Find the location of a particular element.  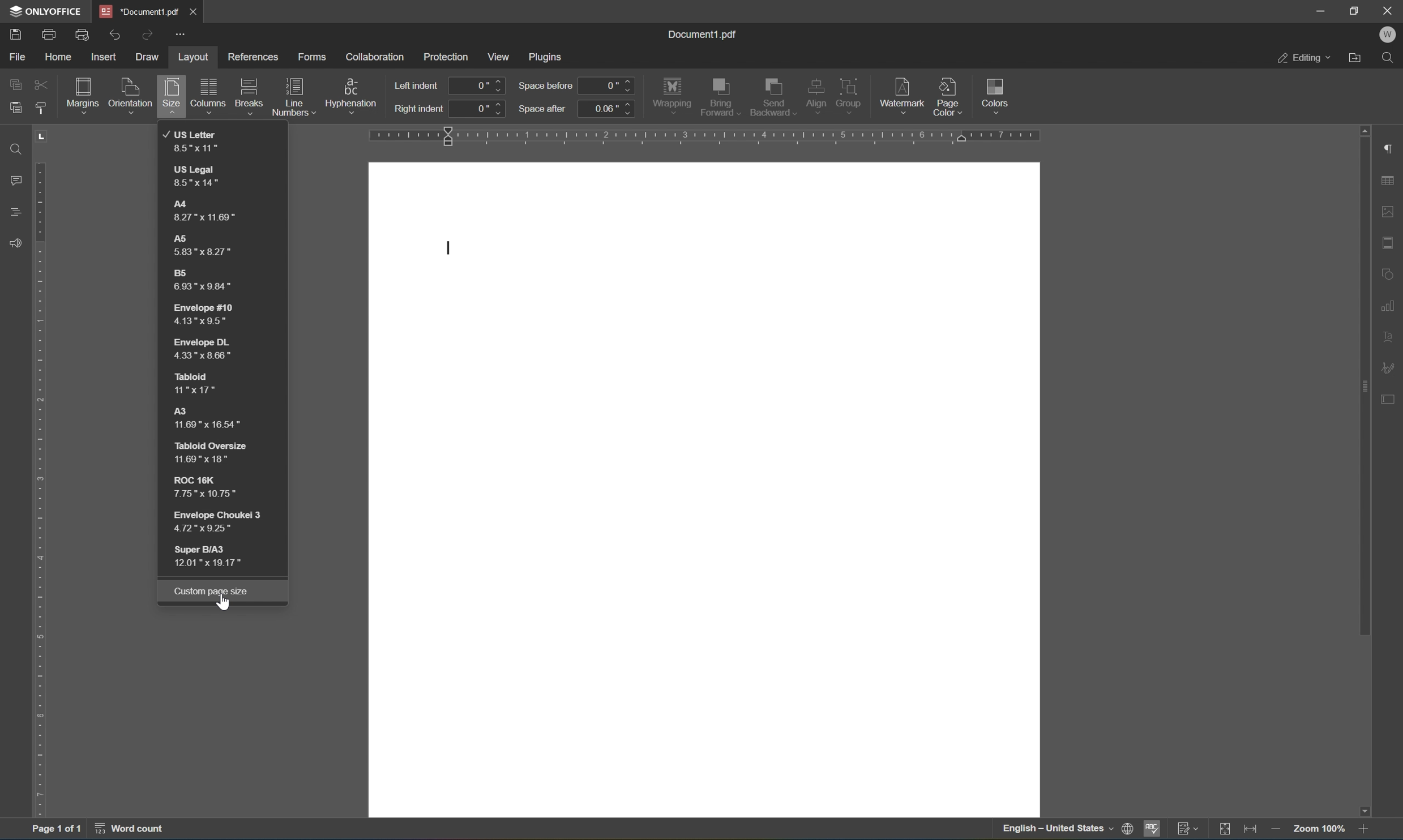

open file location is located at coordinates (1355, 58).